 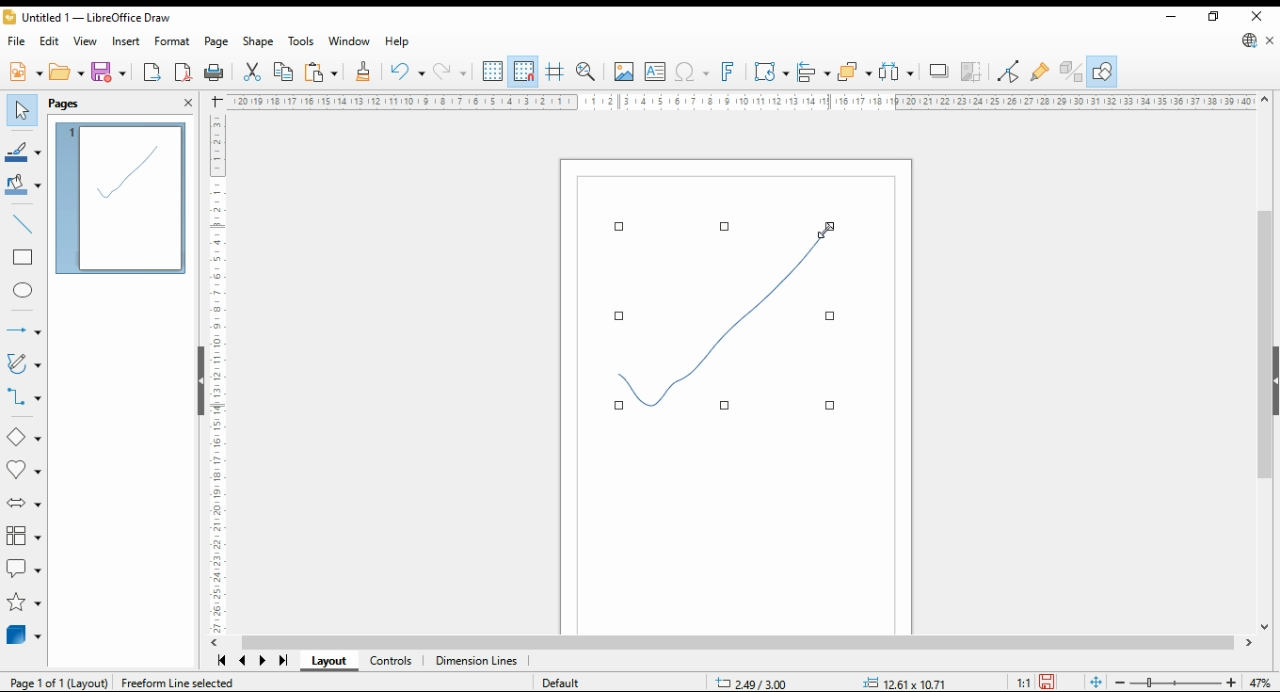 I want to click on minimize, so click(x=1170, y=14).